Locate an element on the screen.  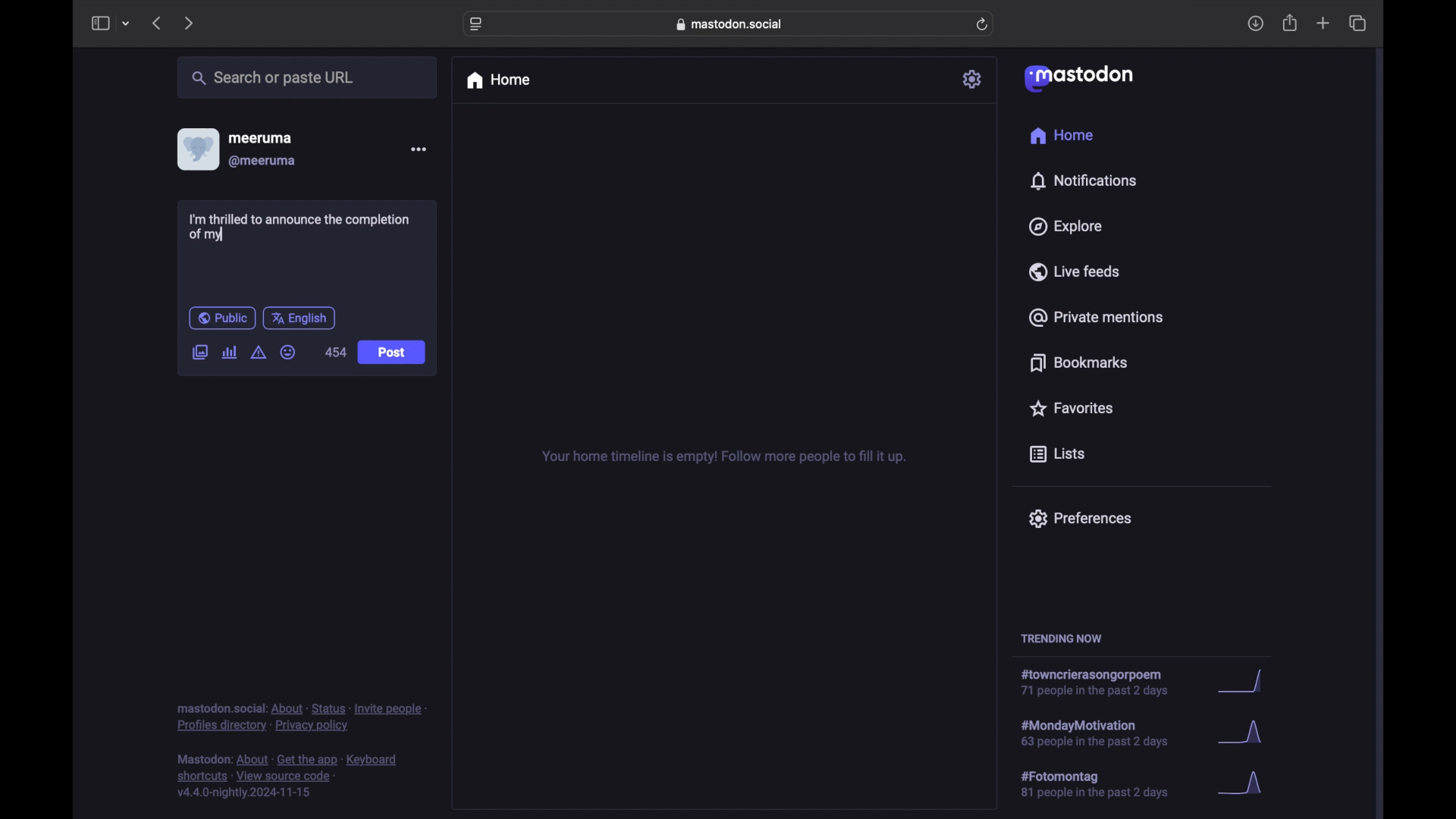
next is located at coordinates (188, 24).